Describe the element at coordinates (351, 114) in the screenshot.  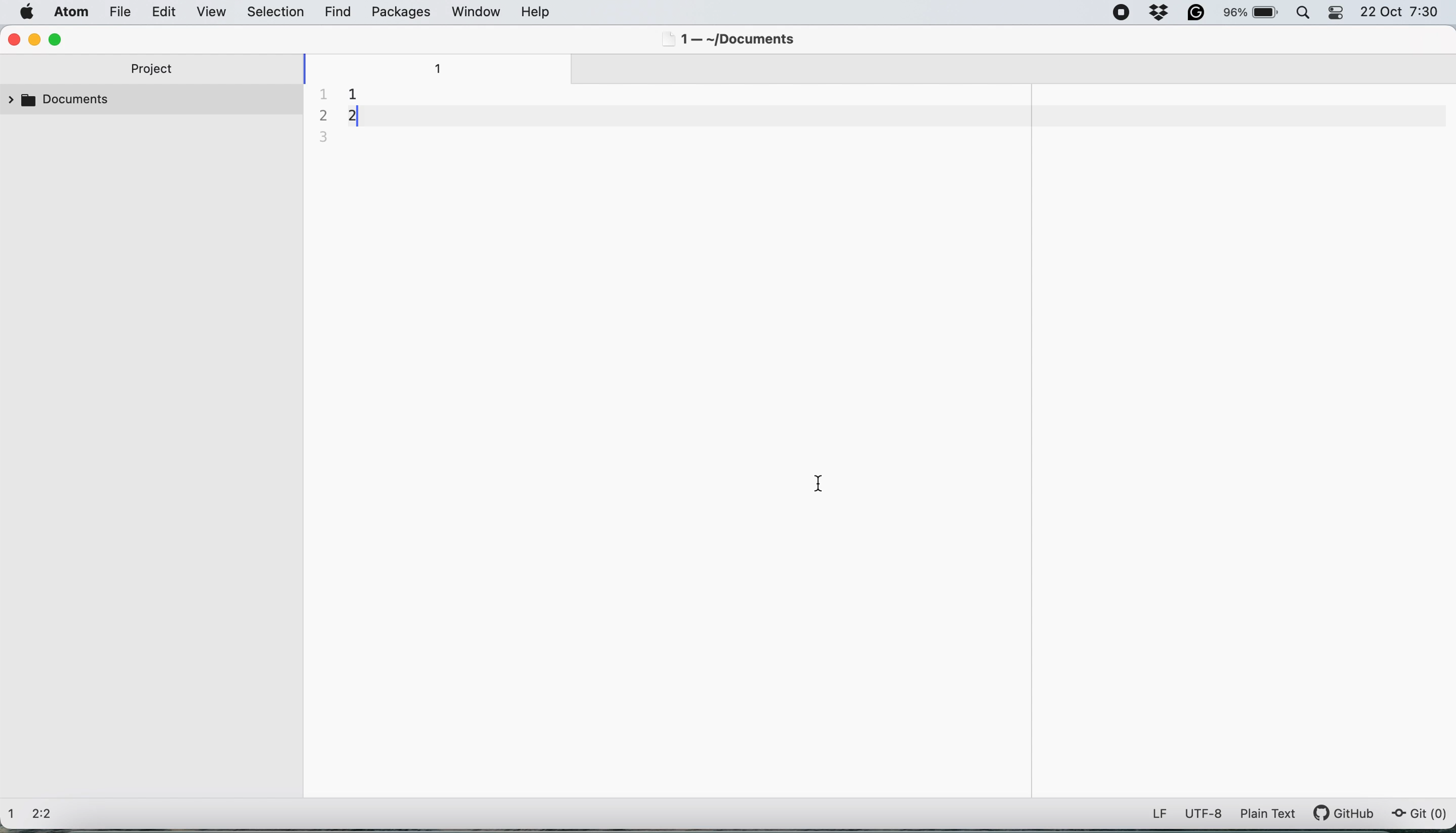
I see `document contents` at that location.